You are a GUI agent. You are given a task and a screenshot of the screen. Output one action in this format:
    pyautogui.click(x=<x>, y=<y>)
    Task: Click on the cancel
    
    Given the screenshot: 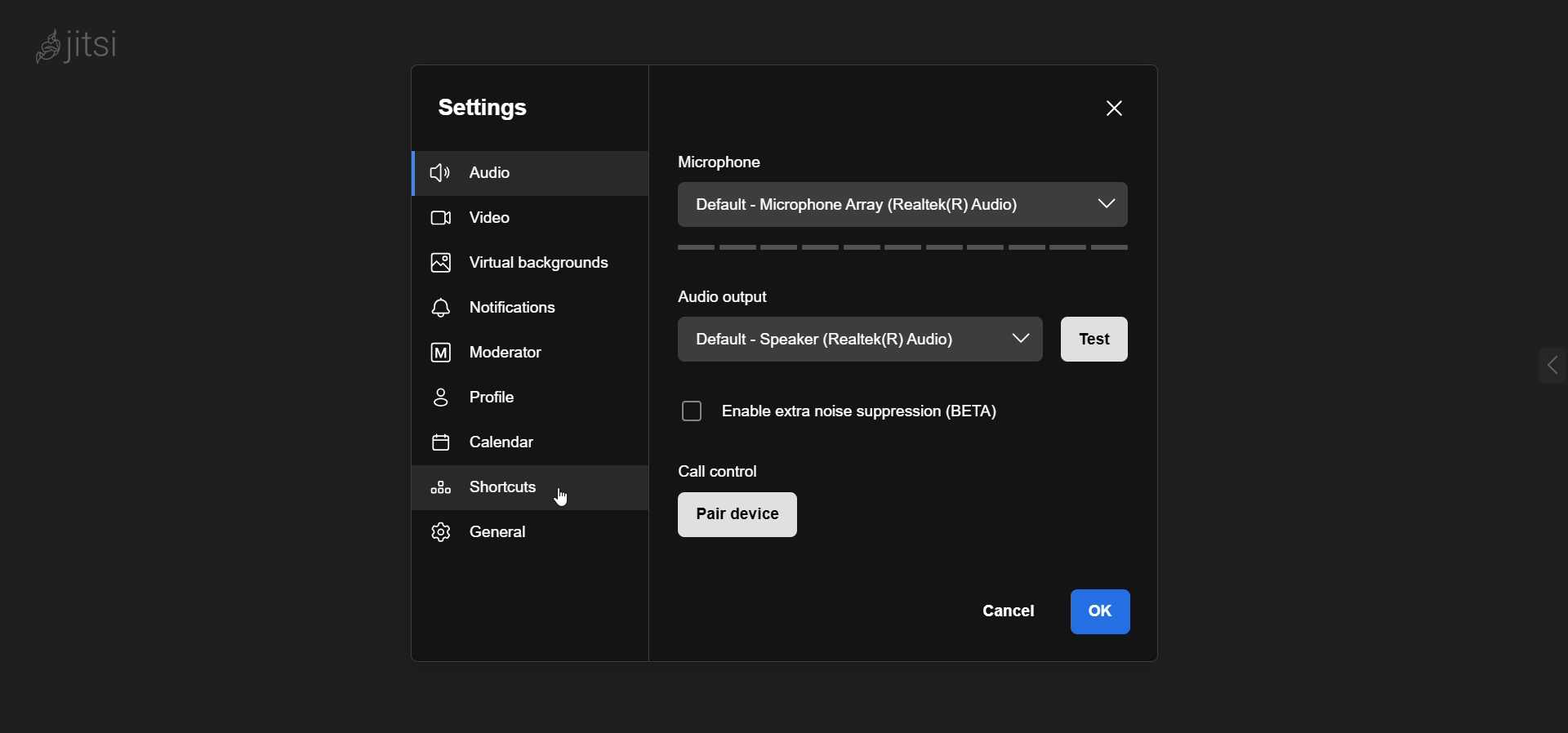 What is the action you would take?
    pyautogui.click(x=1008, y=612)
    